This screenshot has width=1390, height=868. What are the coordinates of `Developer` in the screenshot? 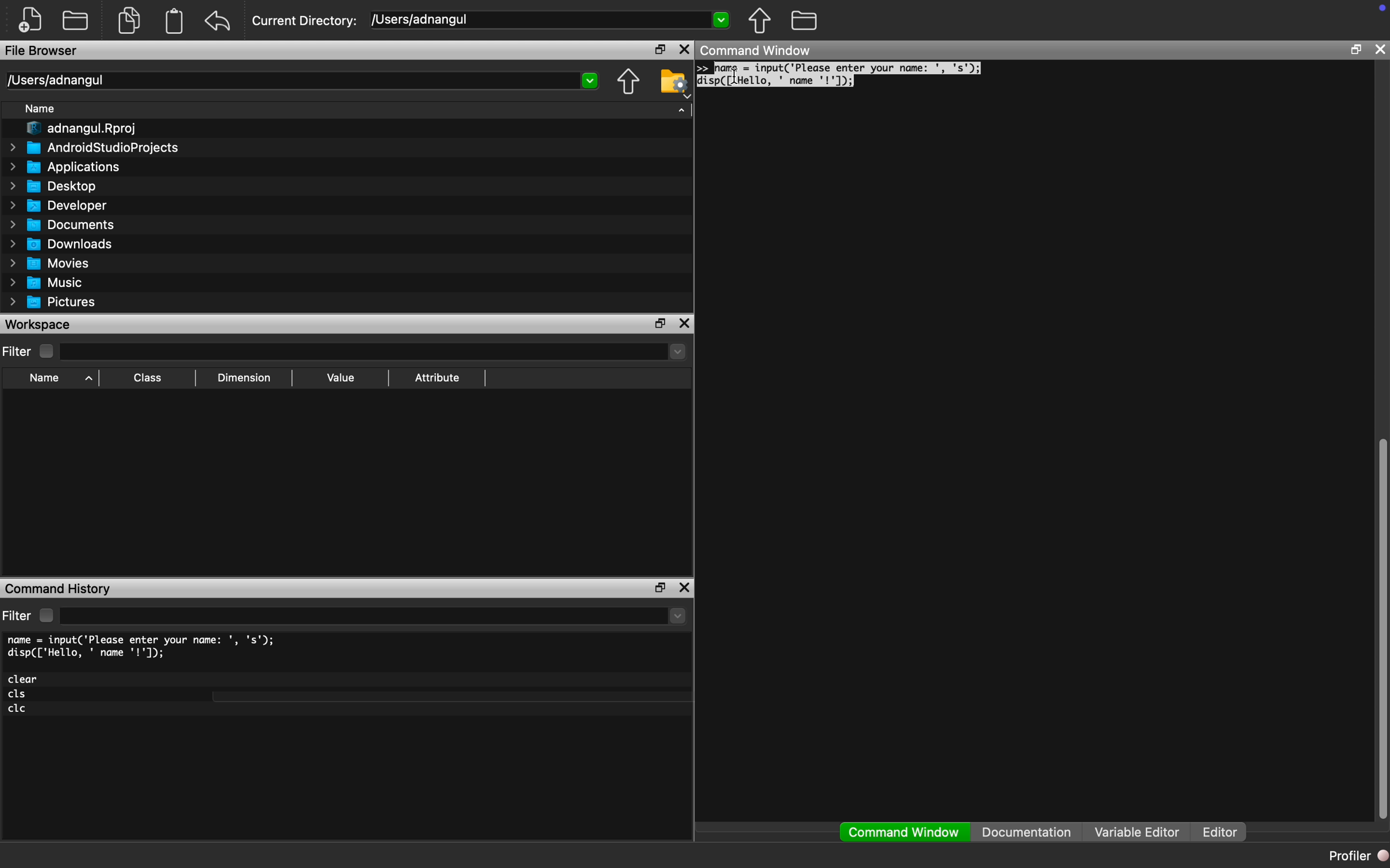 It's located at (56, 206).